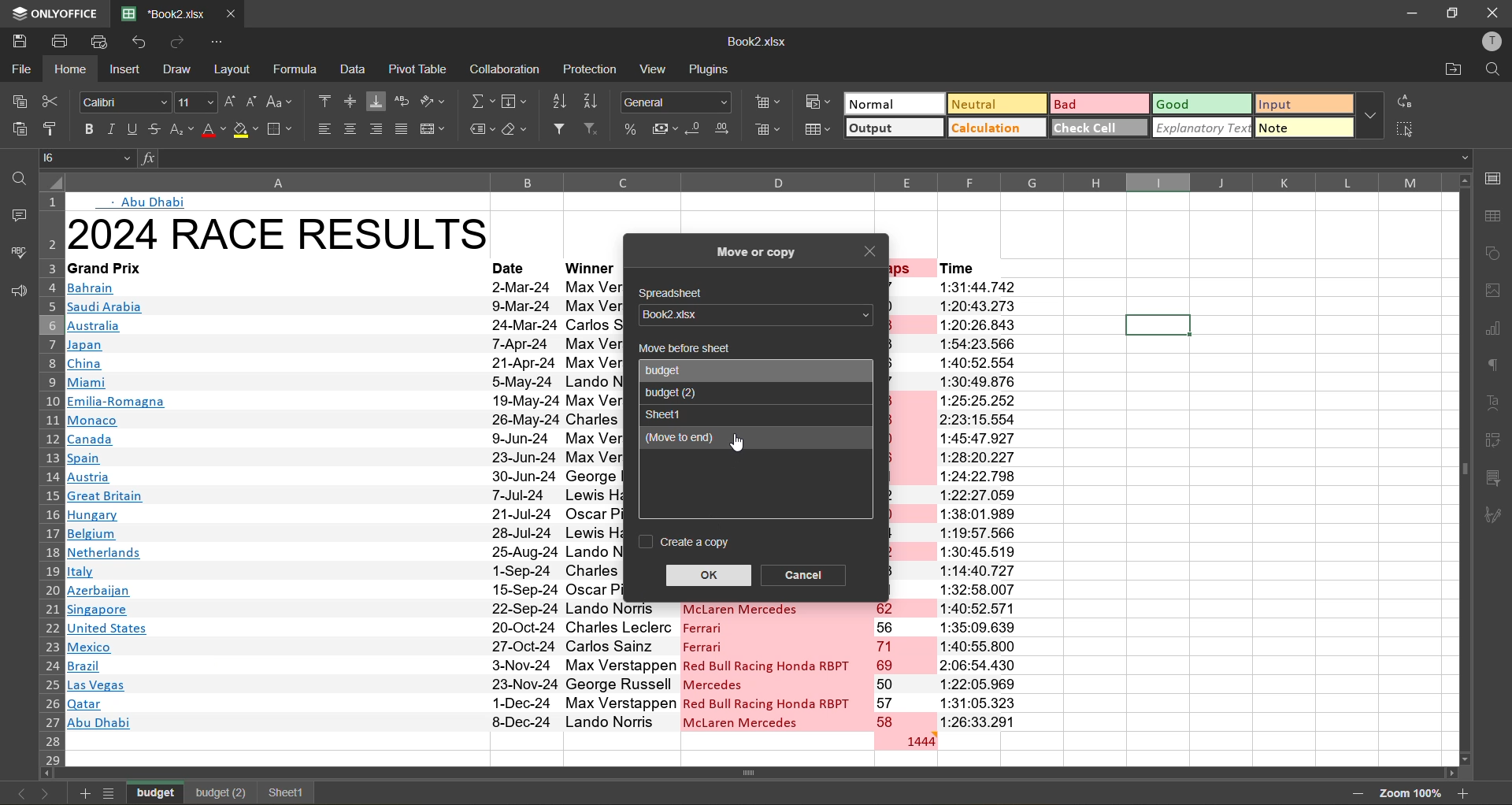 This screenshot has height=805, width=1512. I want to click on gran prix, so click(275, 504).